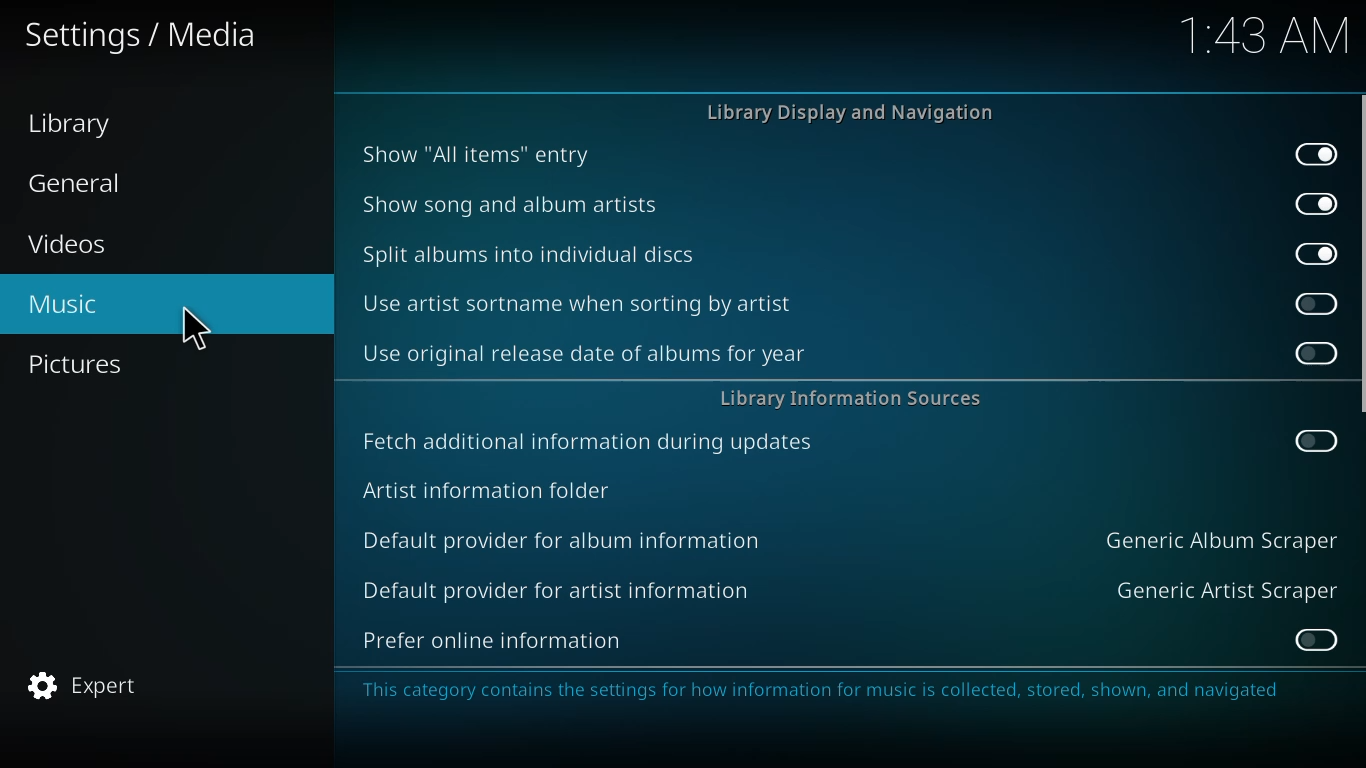 The image size is (1366, 768). I want to click on enabled, so click(1316, 203).